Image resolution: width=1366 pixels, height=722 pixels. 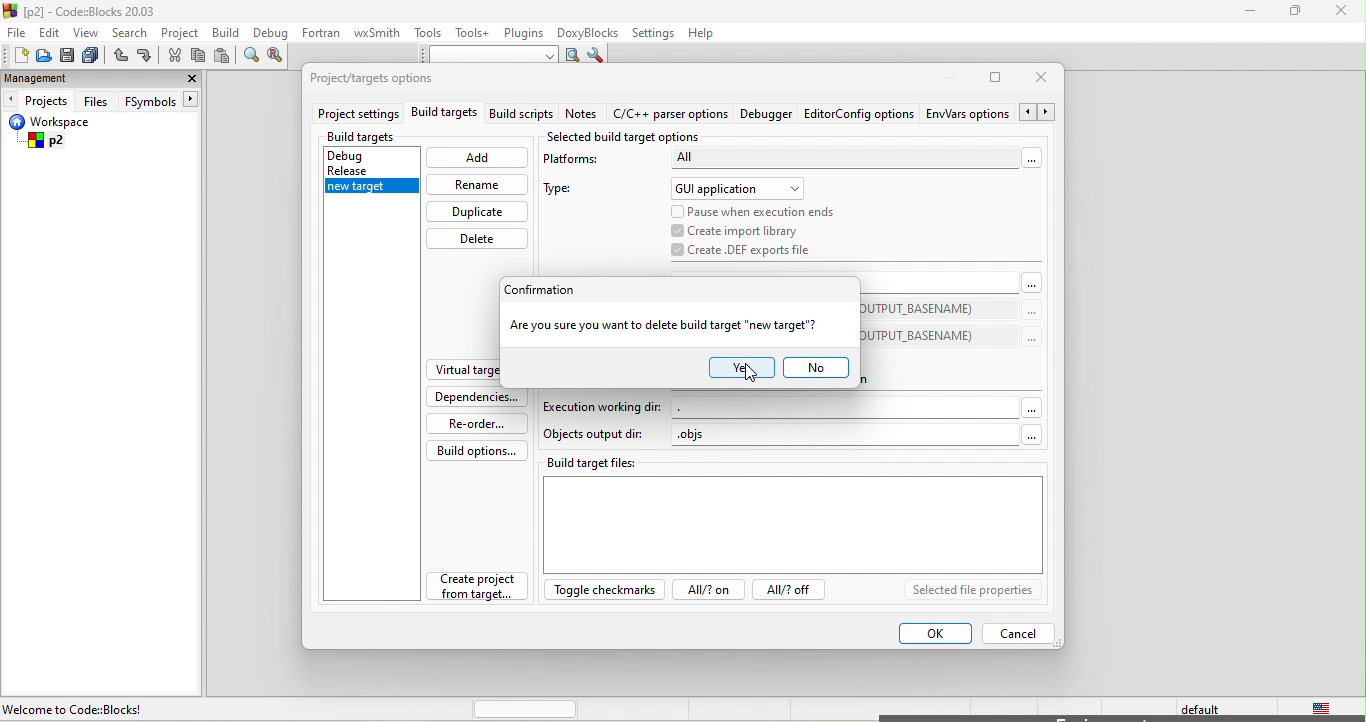 What do you see at coordinates (1317, 709) in the screenshot?
I see `United States` at bounding box center [1317, 709].